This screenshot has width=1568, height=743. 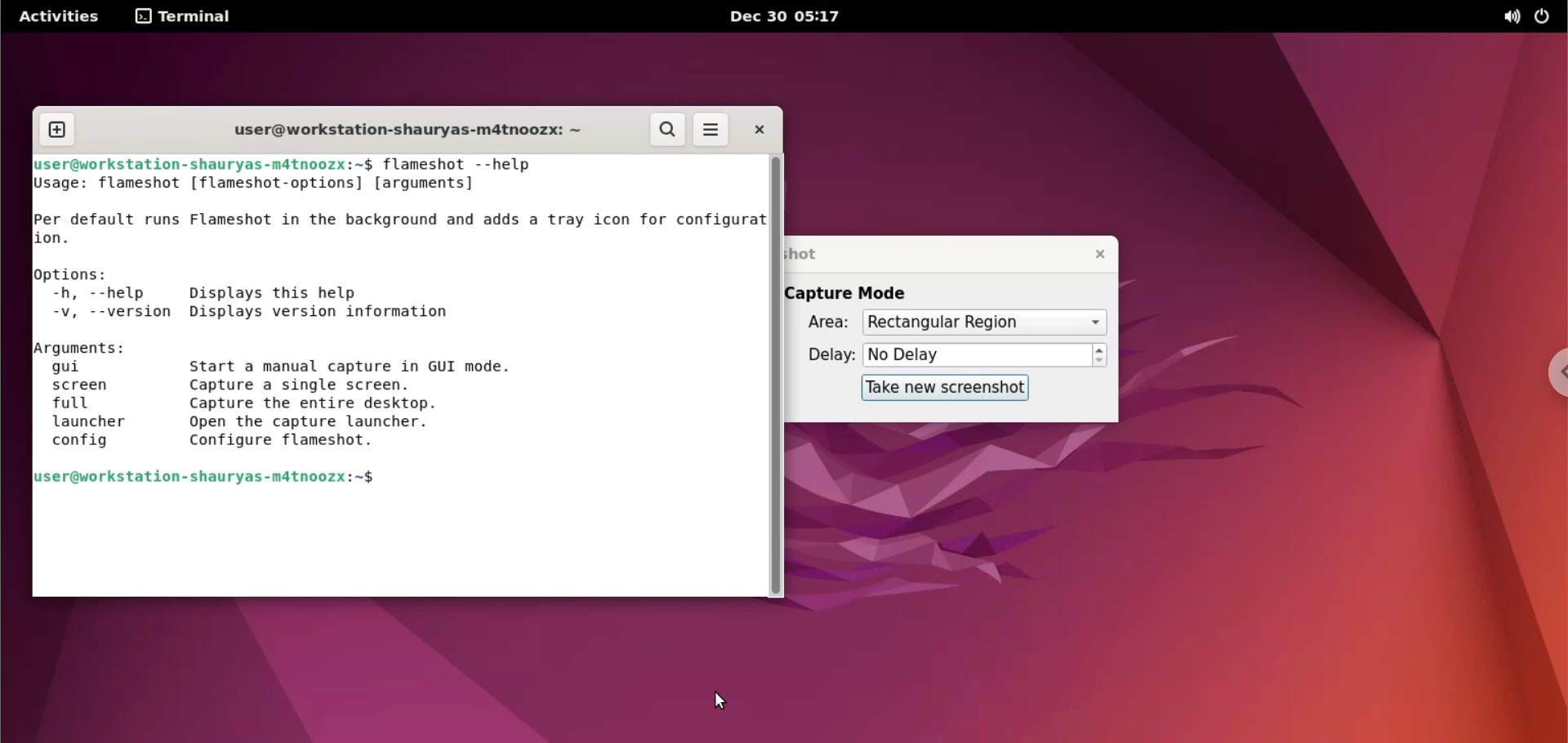 I want to click on increment or decrement delay, so click(x=1100, y=356).